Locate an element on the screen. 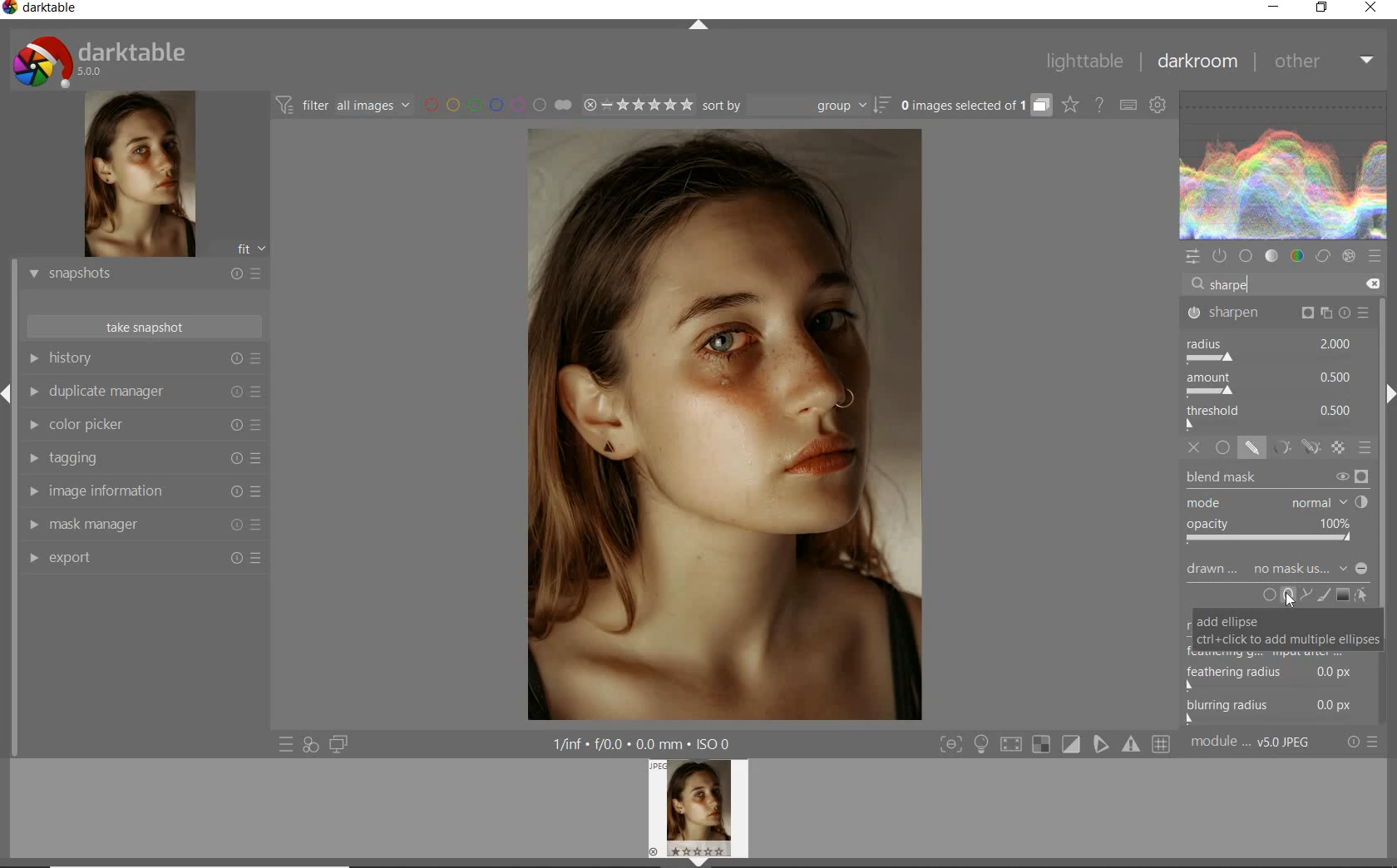  range rating of selected images is located at coordinates (637, 106).